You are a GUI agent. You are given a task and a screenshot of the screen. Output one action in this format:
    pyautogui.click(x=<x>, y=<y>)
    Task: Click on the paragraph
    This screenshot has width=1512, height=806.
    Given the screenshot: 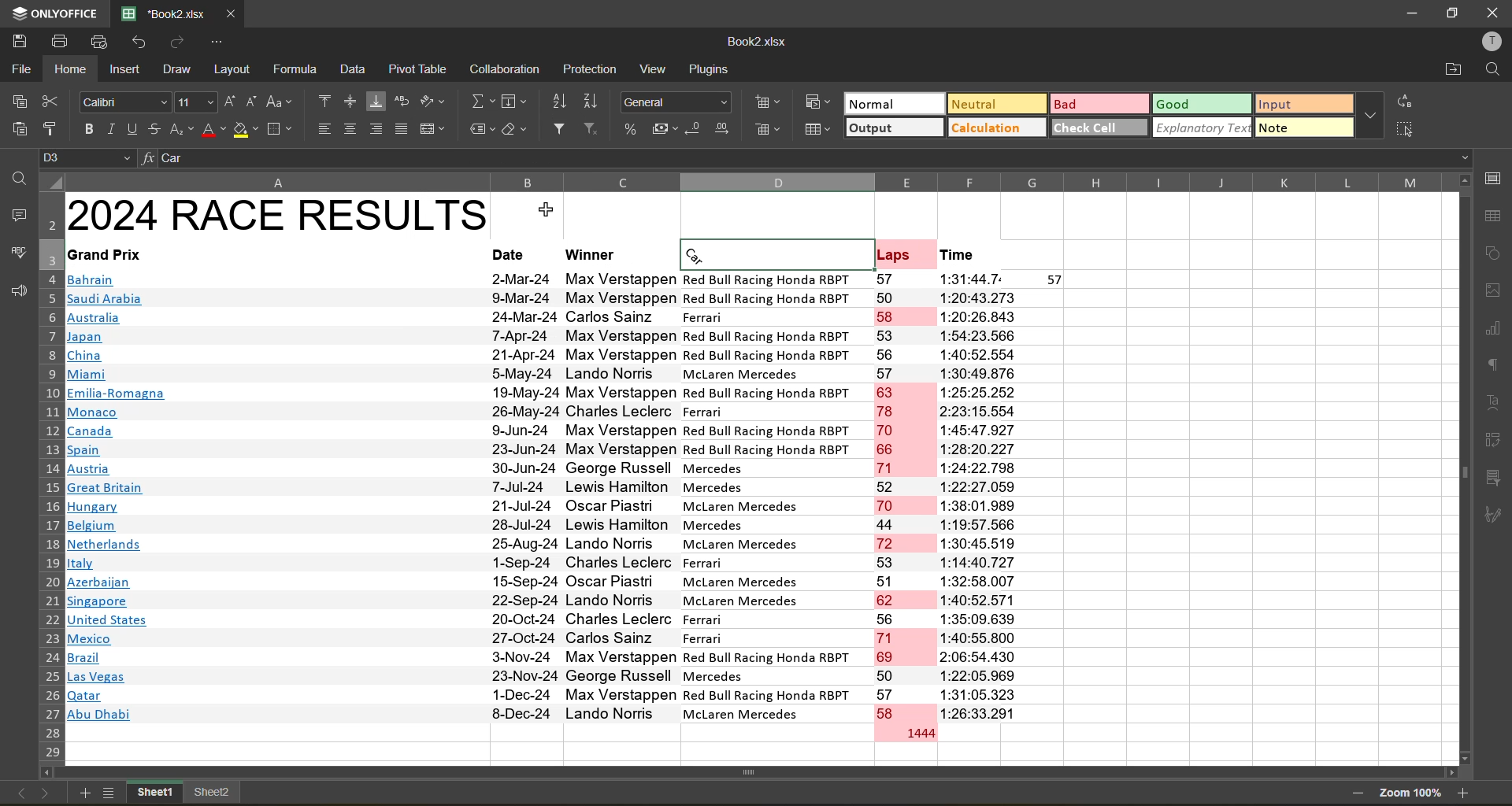 What is the action you would take?
    pyautogui.click(x=1493, y=365)
    